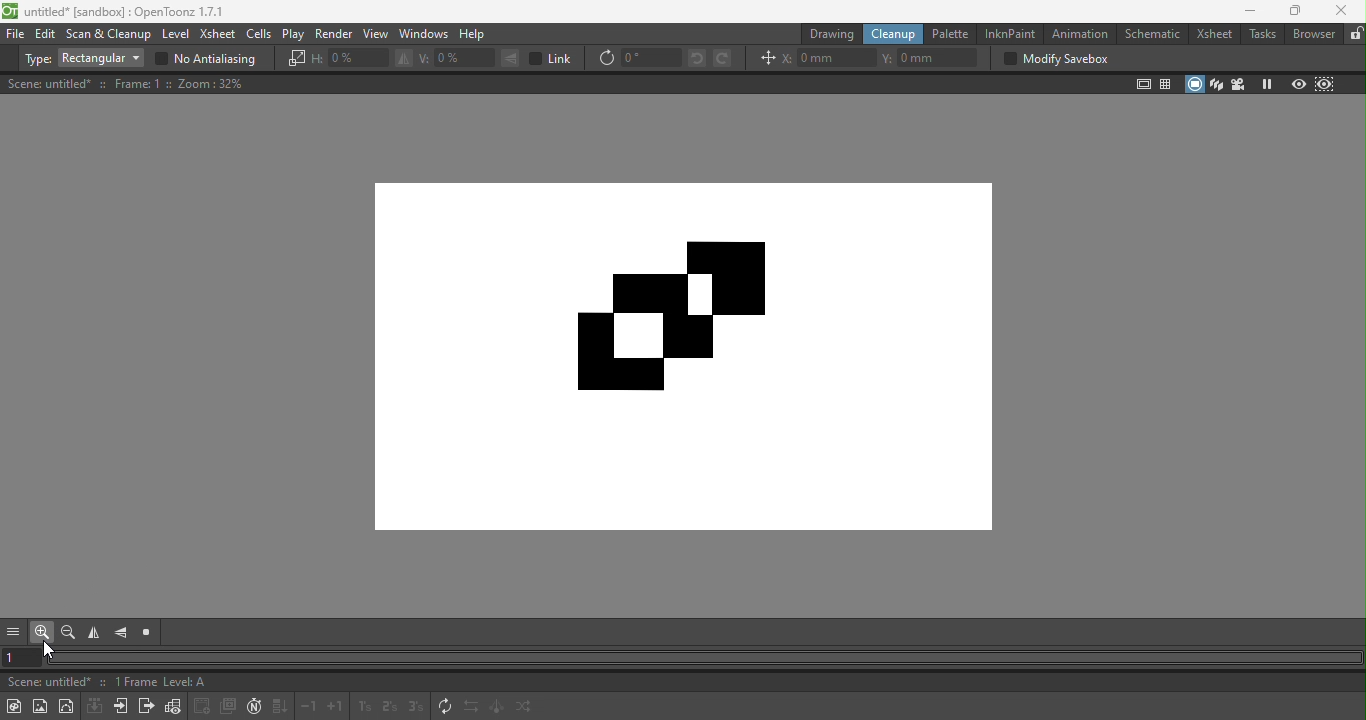 This screenshot has width=1366, height=720. I want to click on Minimize, so click(1251, 12).